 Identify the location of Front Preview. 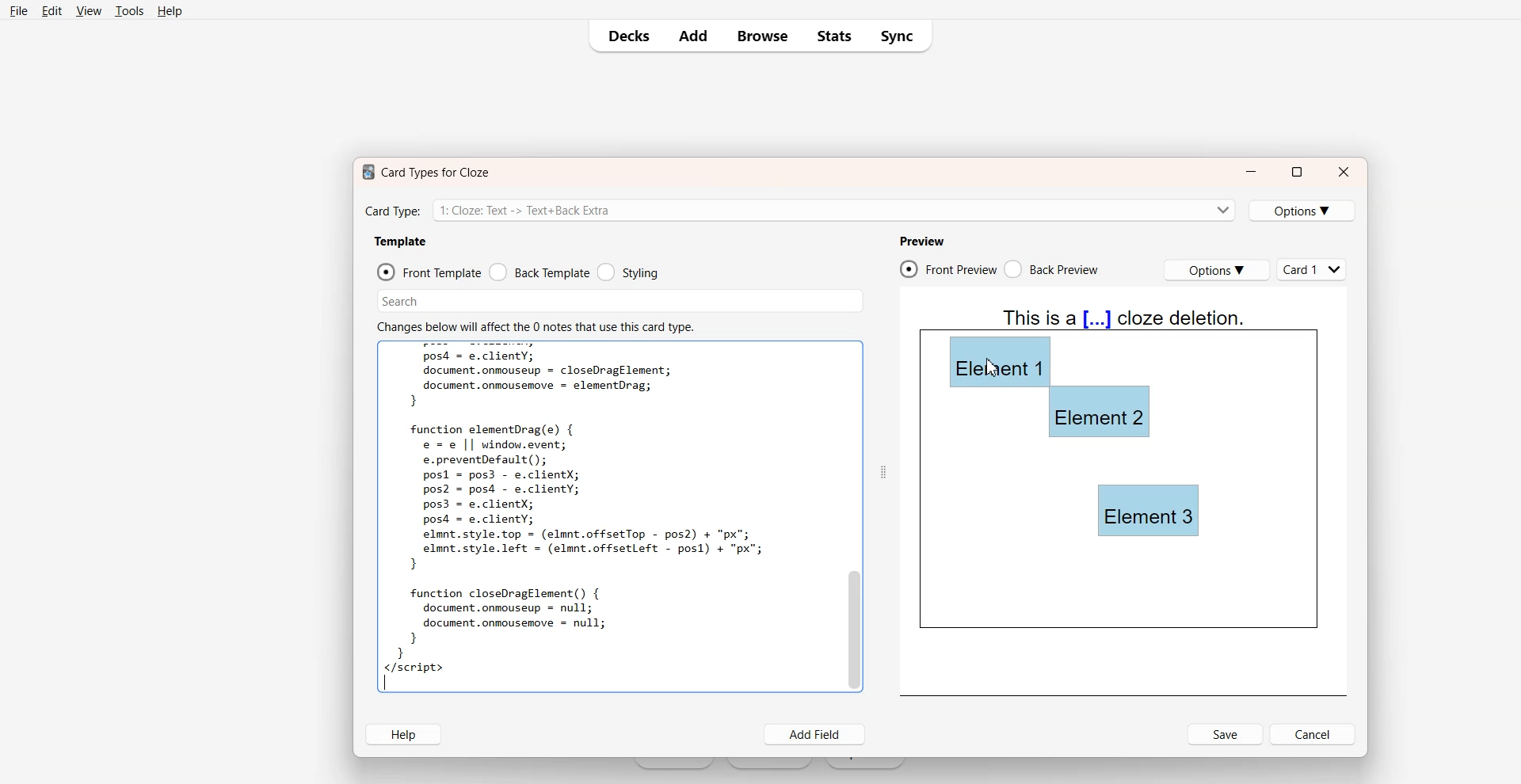
(948, 268).